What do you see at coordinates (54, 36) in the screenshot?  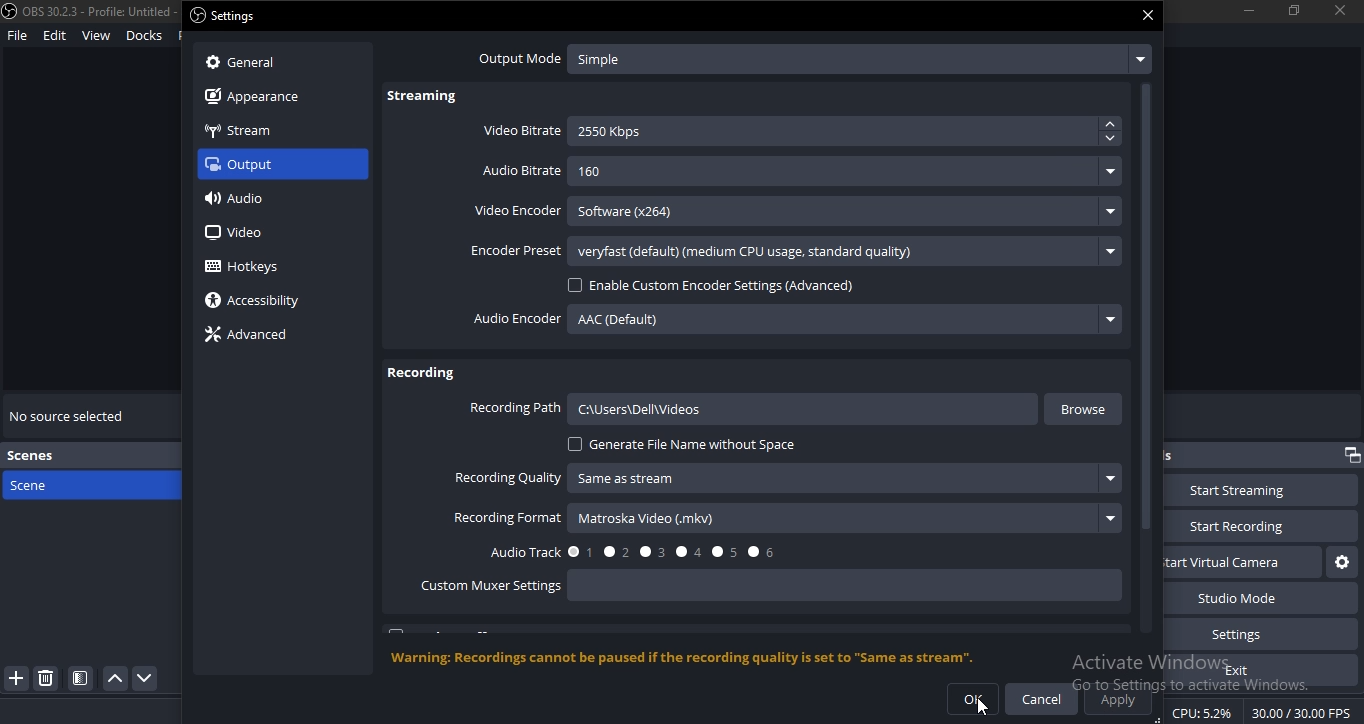 I see `edit` at bounding box center [54, 36].